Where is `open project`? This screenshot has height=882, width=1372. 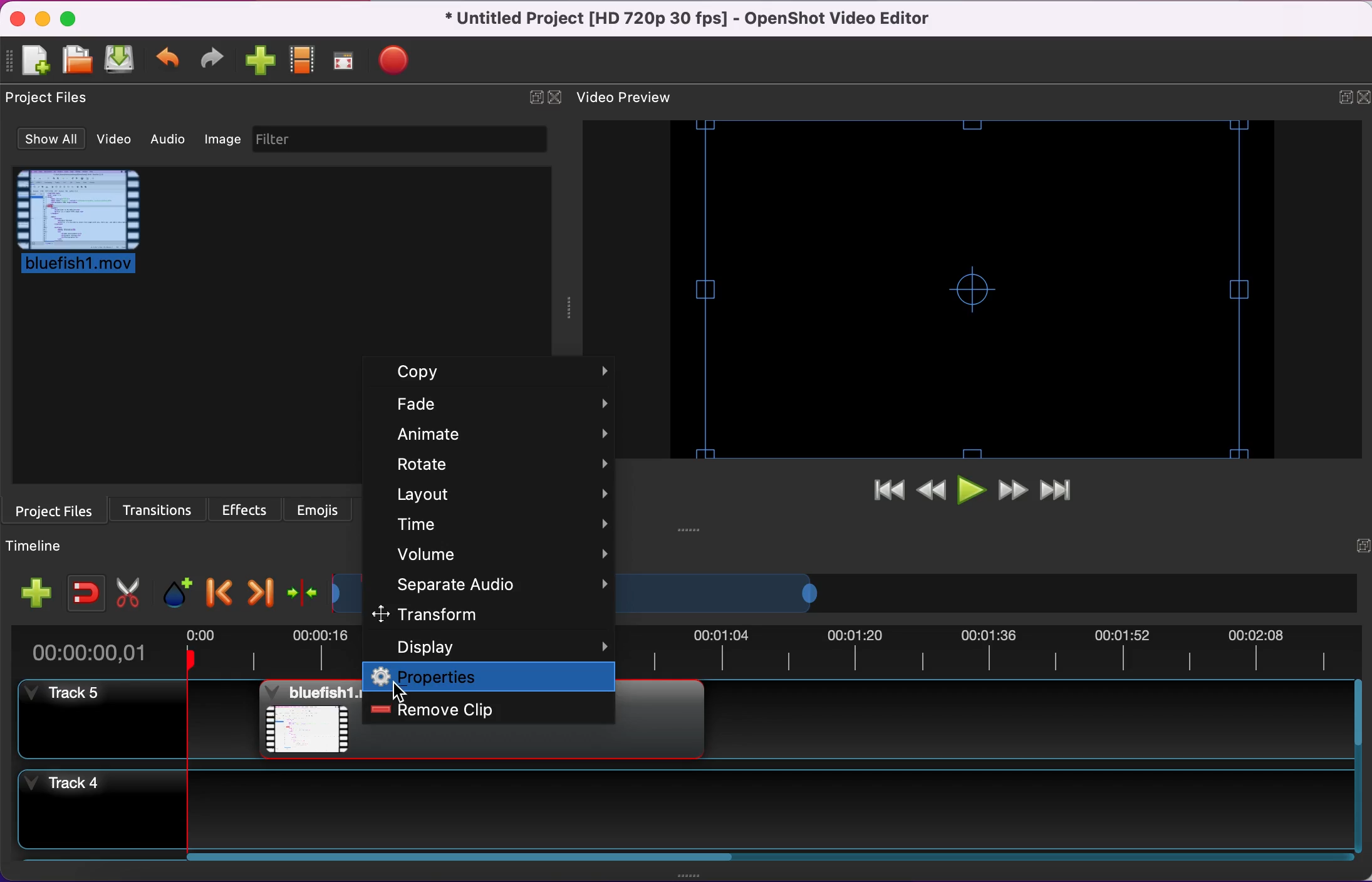
open project is located at coordinates (76, 65).